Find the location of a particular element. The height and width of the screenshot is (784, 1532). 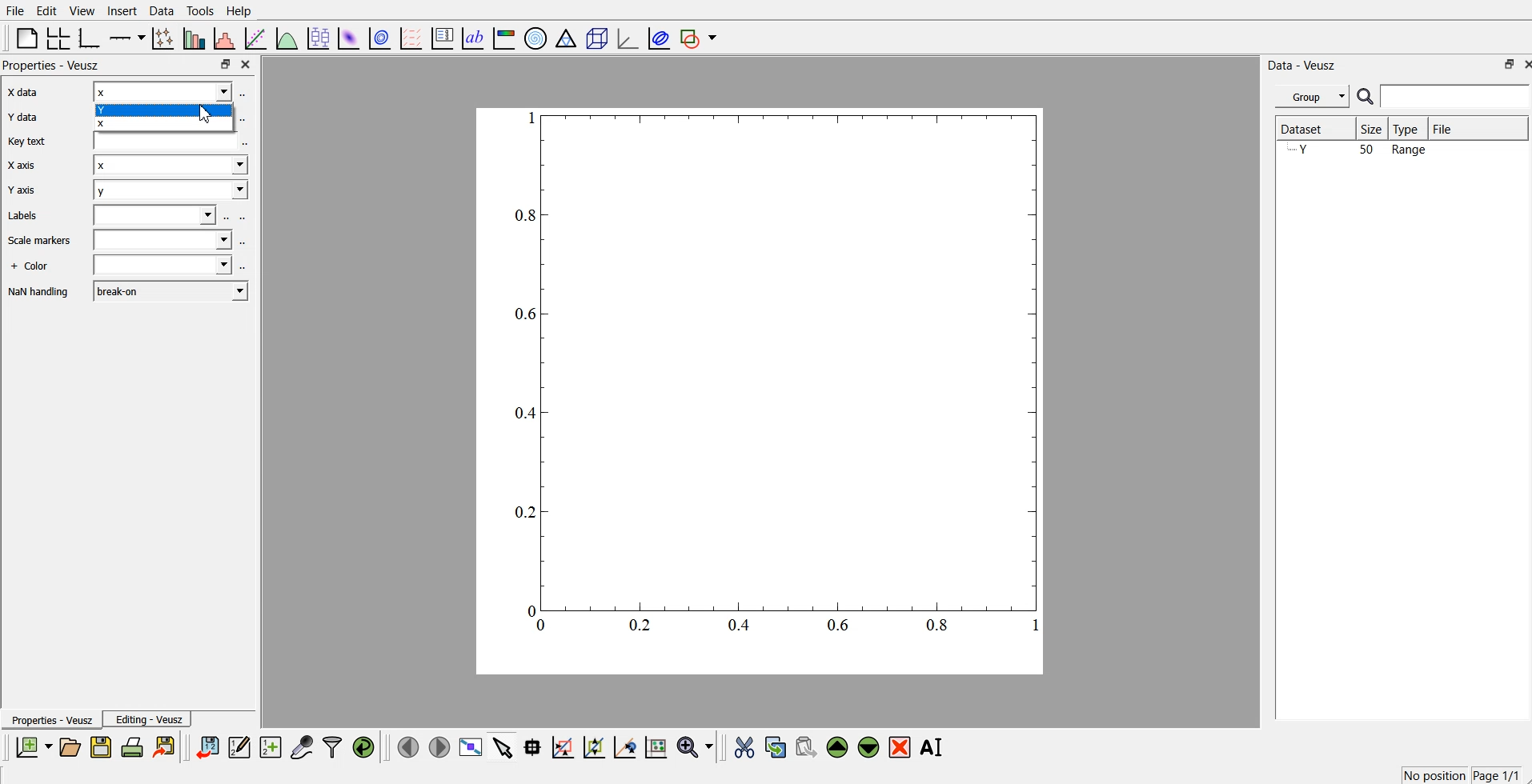

base graphs is located at coordinates (92, 36).